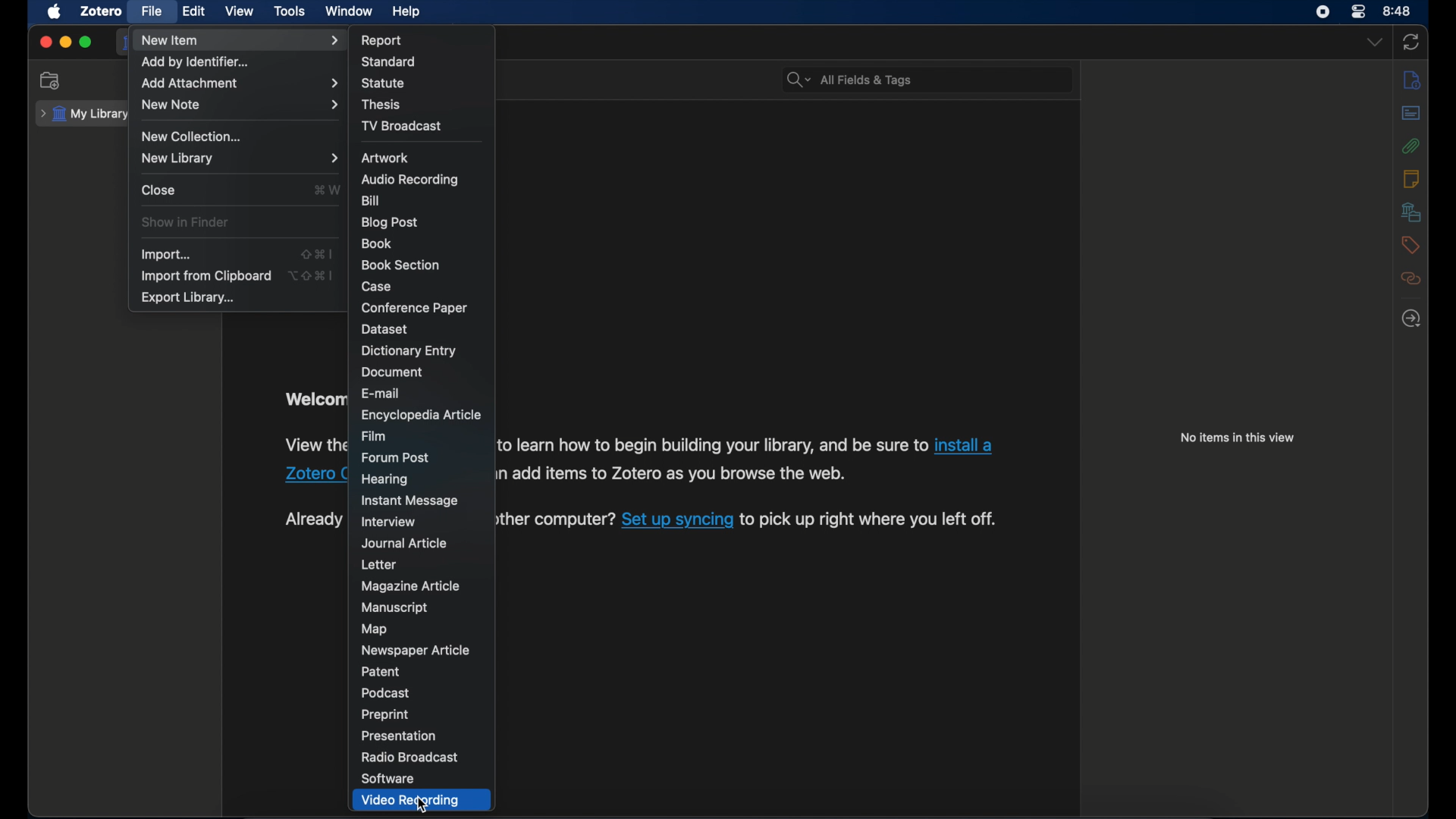 This screenshot has width=1456, height=819. What do you see at coordinates (390, 778) in the screenshot?
I see `software` at bounding box center [390, 778].